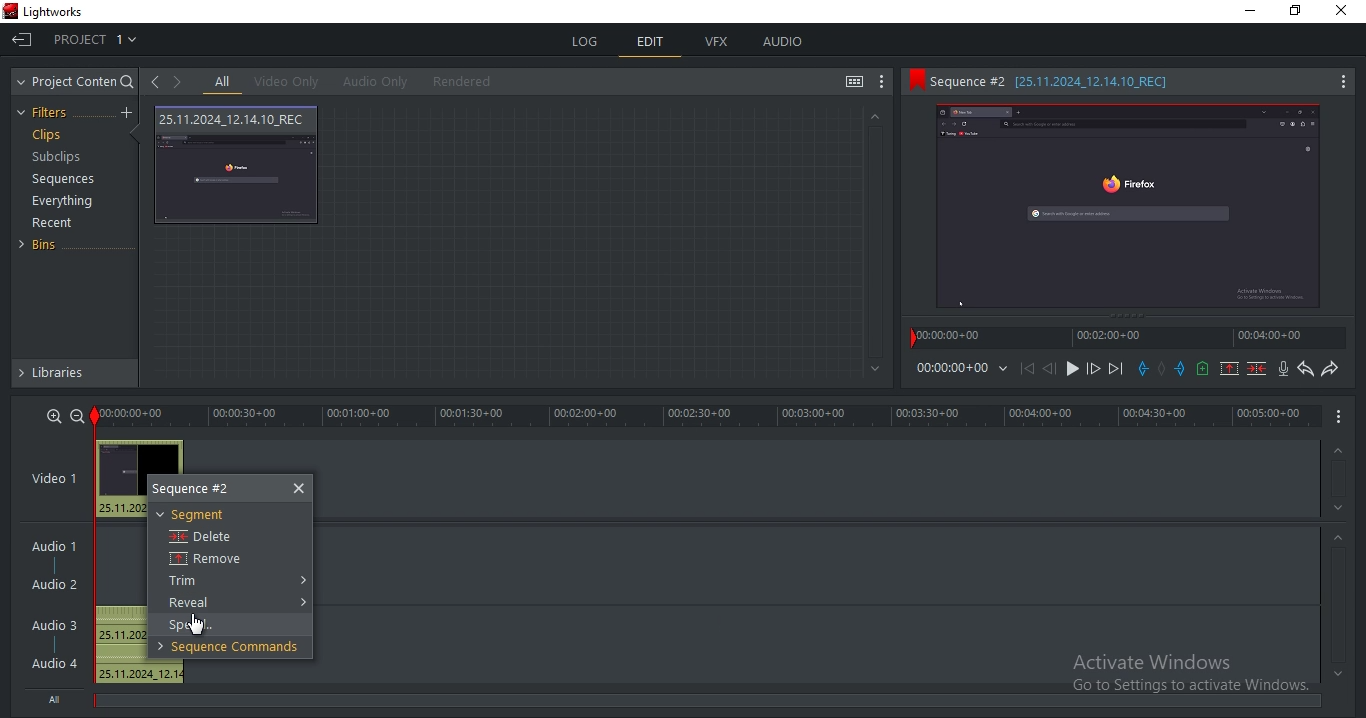  Describe the element at coordinates (1337, 418) in the screenshot. I see `options` at that location.